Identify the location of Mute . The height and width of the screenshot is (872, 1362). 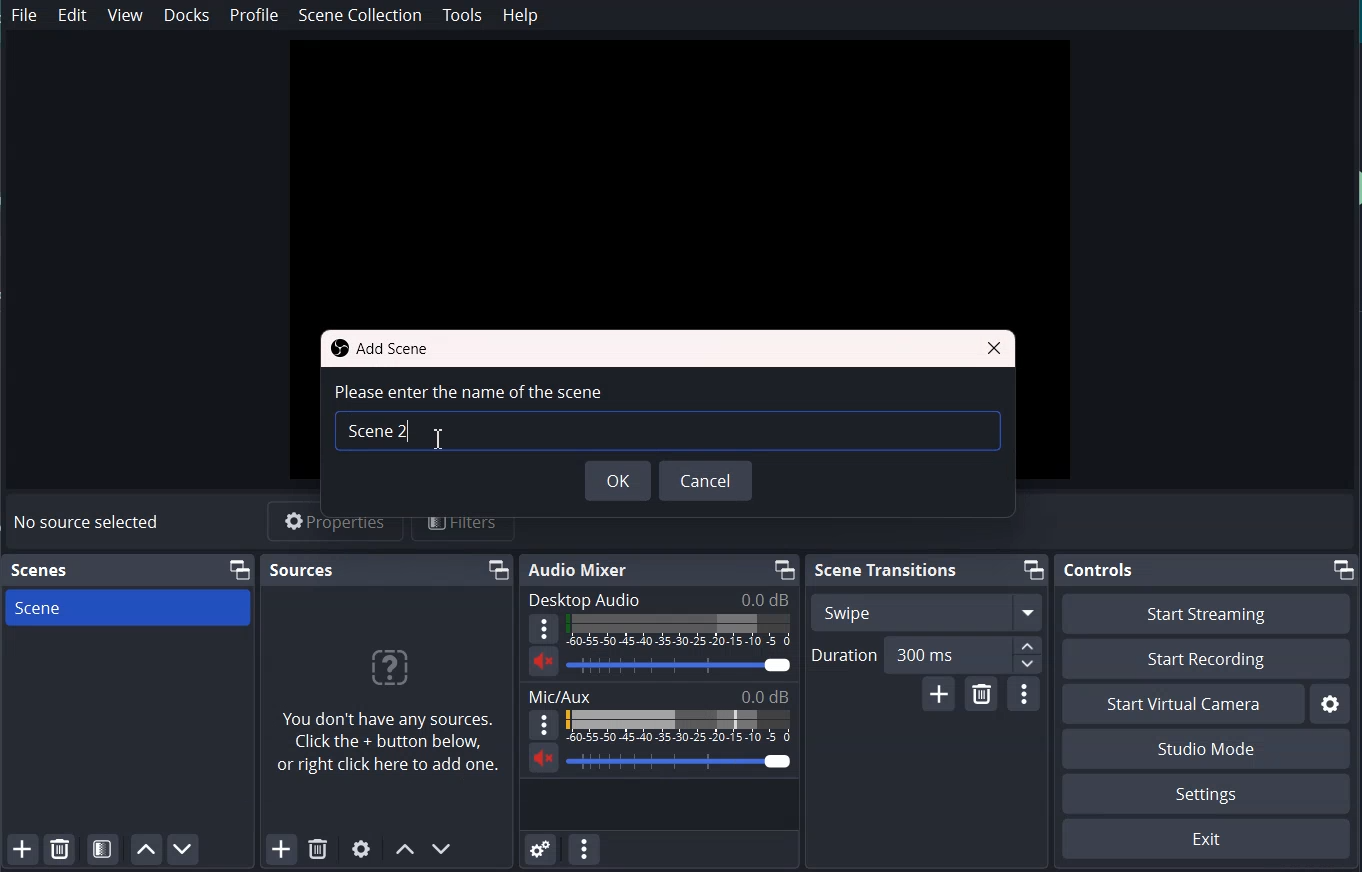
(544, 757).